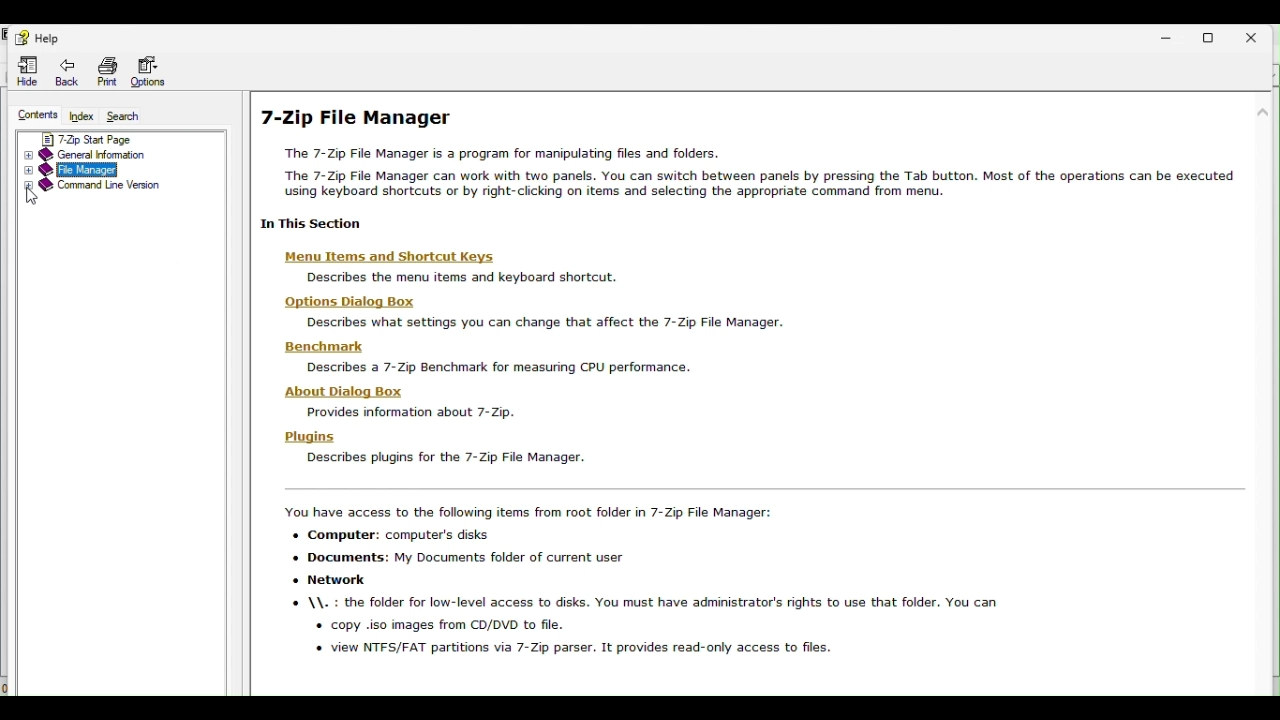  What do you see at coordinates (109, 139) in the screenshot?
I see `7 zip start page` at bounding box center [109, 139].